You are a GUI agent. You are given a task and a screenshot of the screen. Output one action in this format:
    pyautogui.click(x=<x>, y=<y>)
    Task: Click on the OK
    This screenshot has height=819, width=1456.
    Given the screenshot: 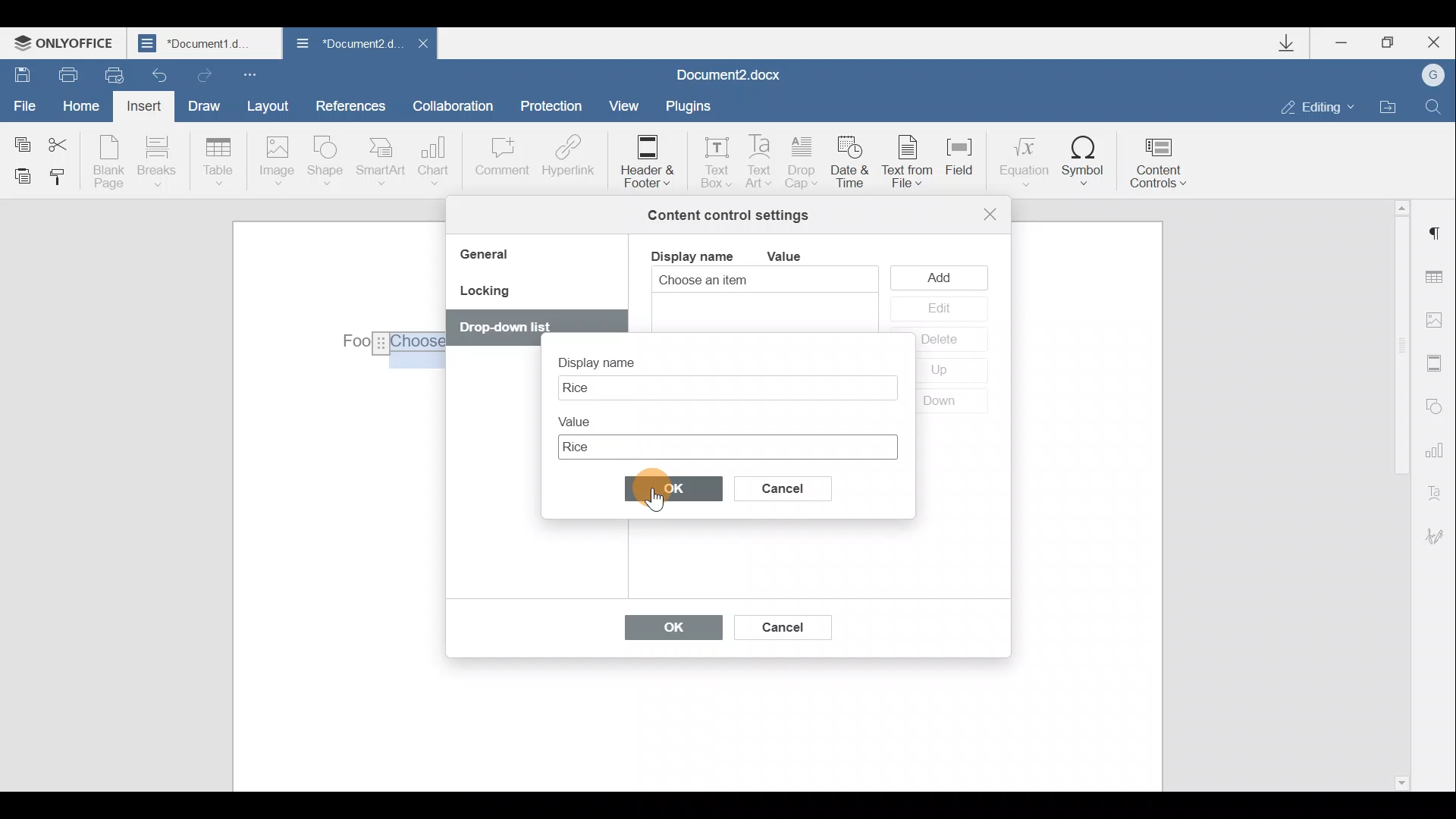 What is the action you would take?
    pyautogui.click(x=666, y=631)
    